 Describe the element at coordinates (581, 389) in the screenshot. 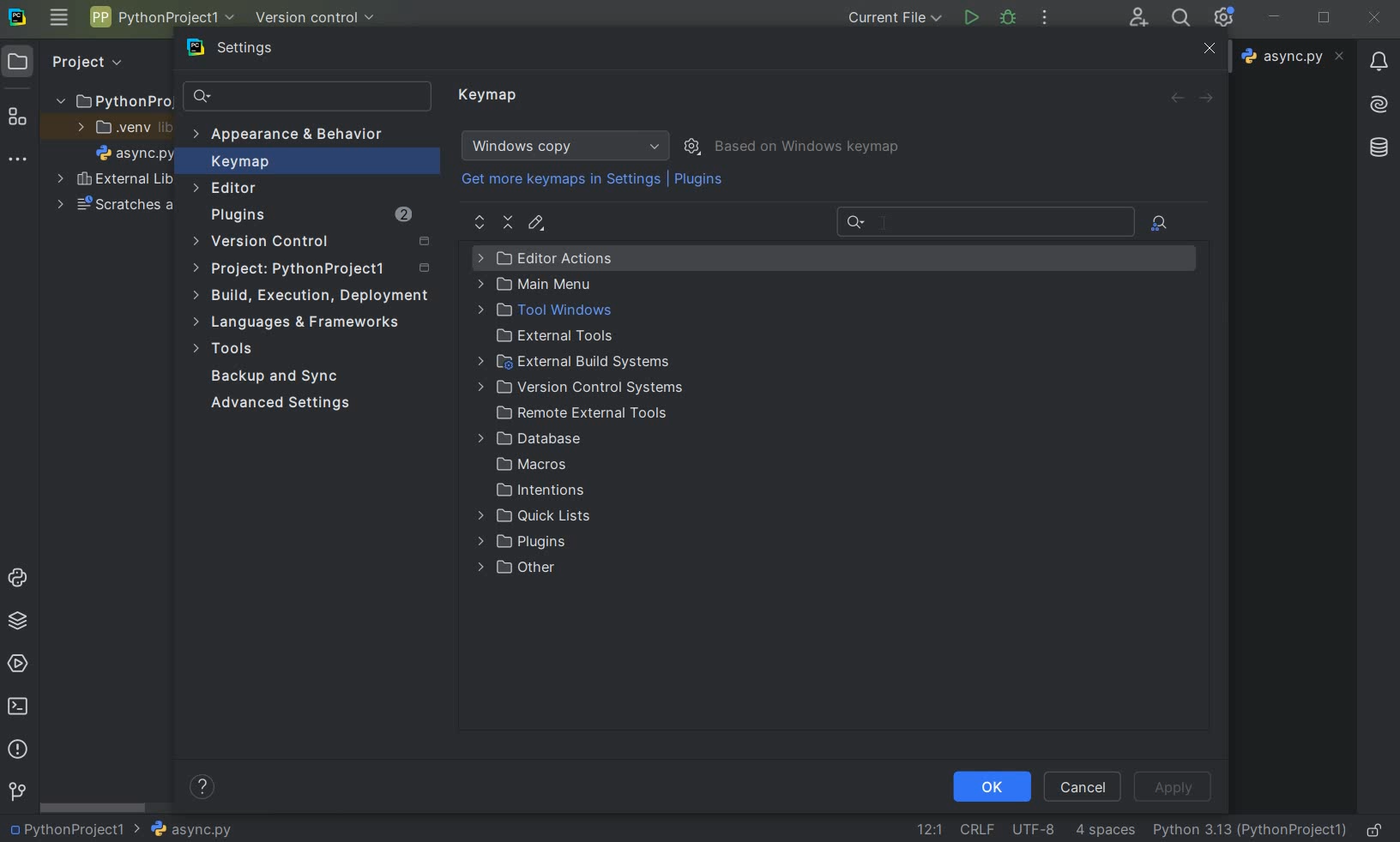

I see `version control systems` at that location.